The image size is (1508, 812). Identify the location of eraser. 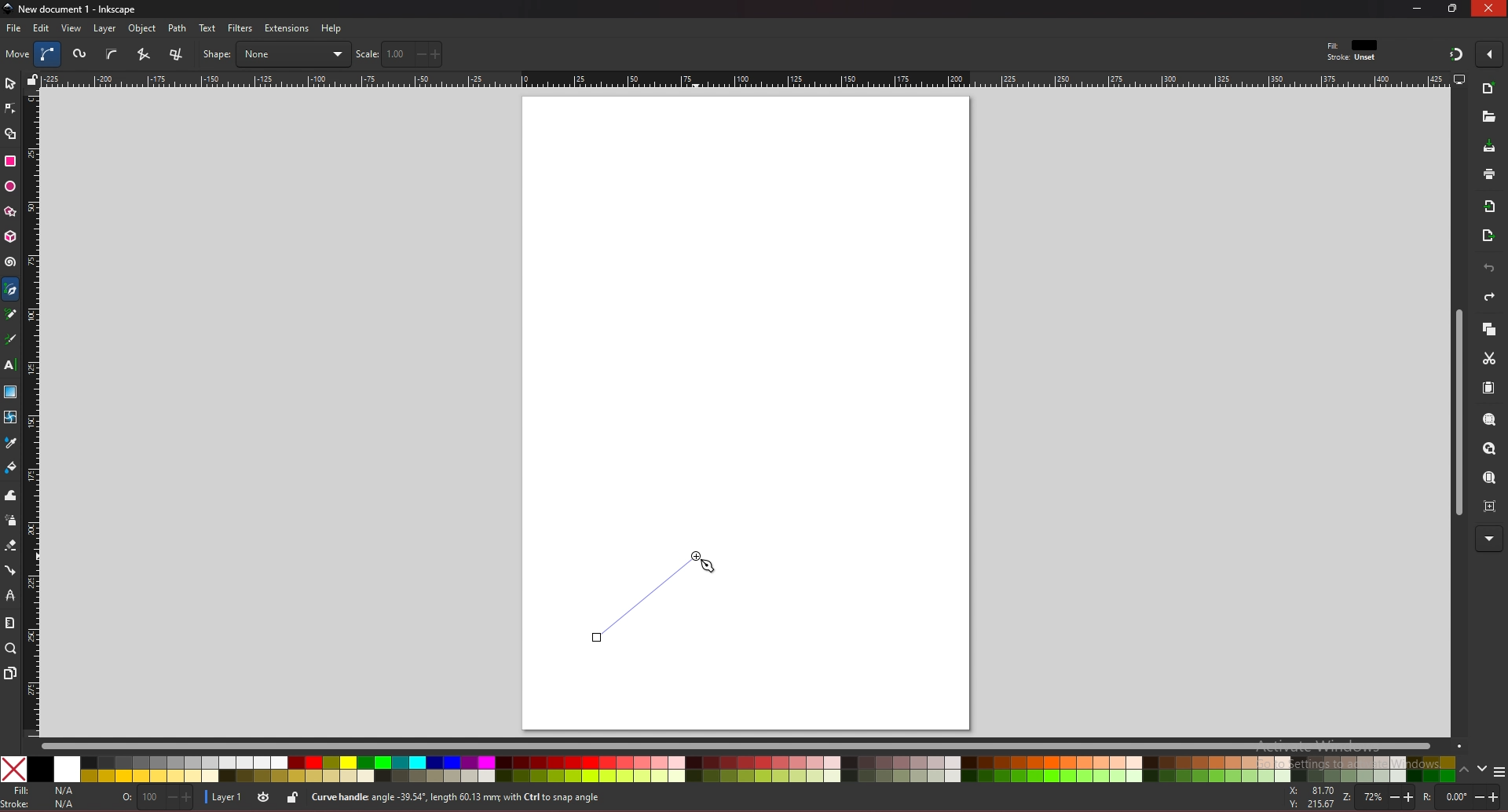
(10, 546).